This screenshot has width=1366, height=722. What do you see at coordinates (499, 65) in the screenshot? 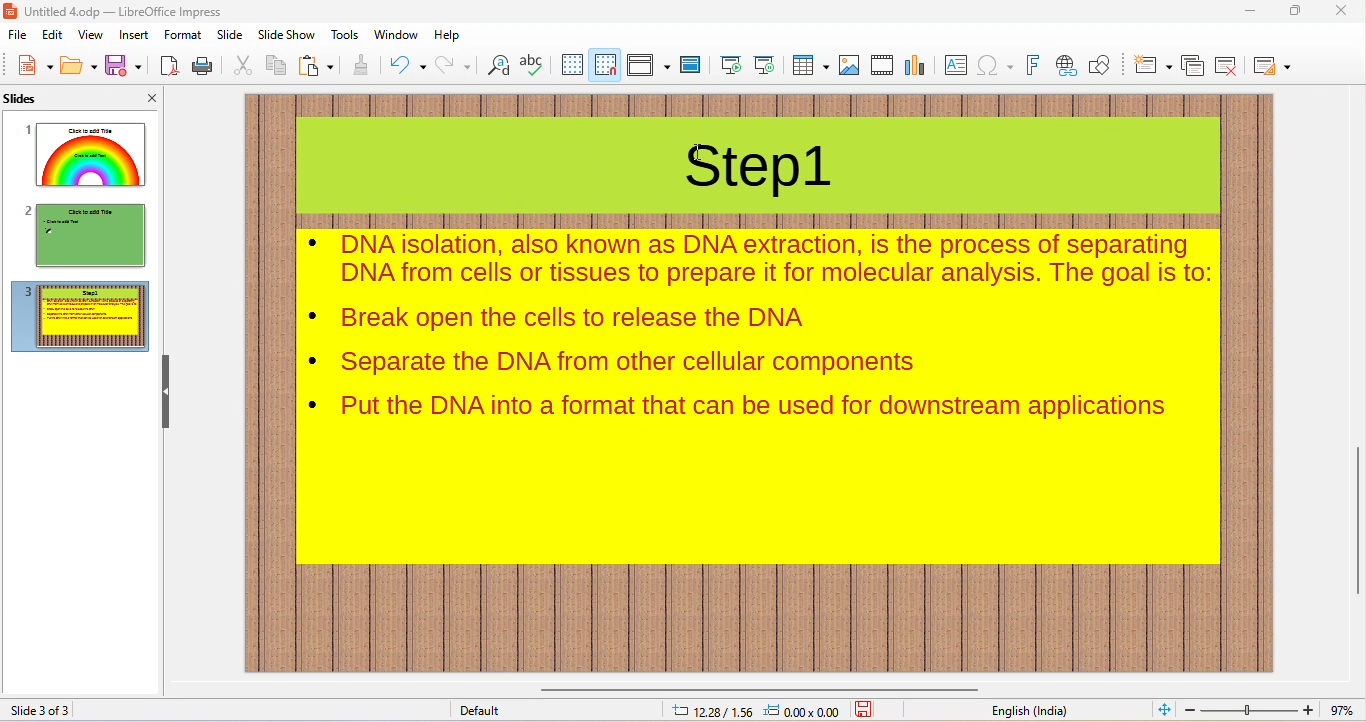
I see `find and replace` at bounding box center [499, 65].